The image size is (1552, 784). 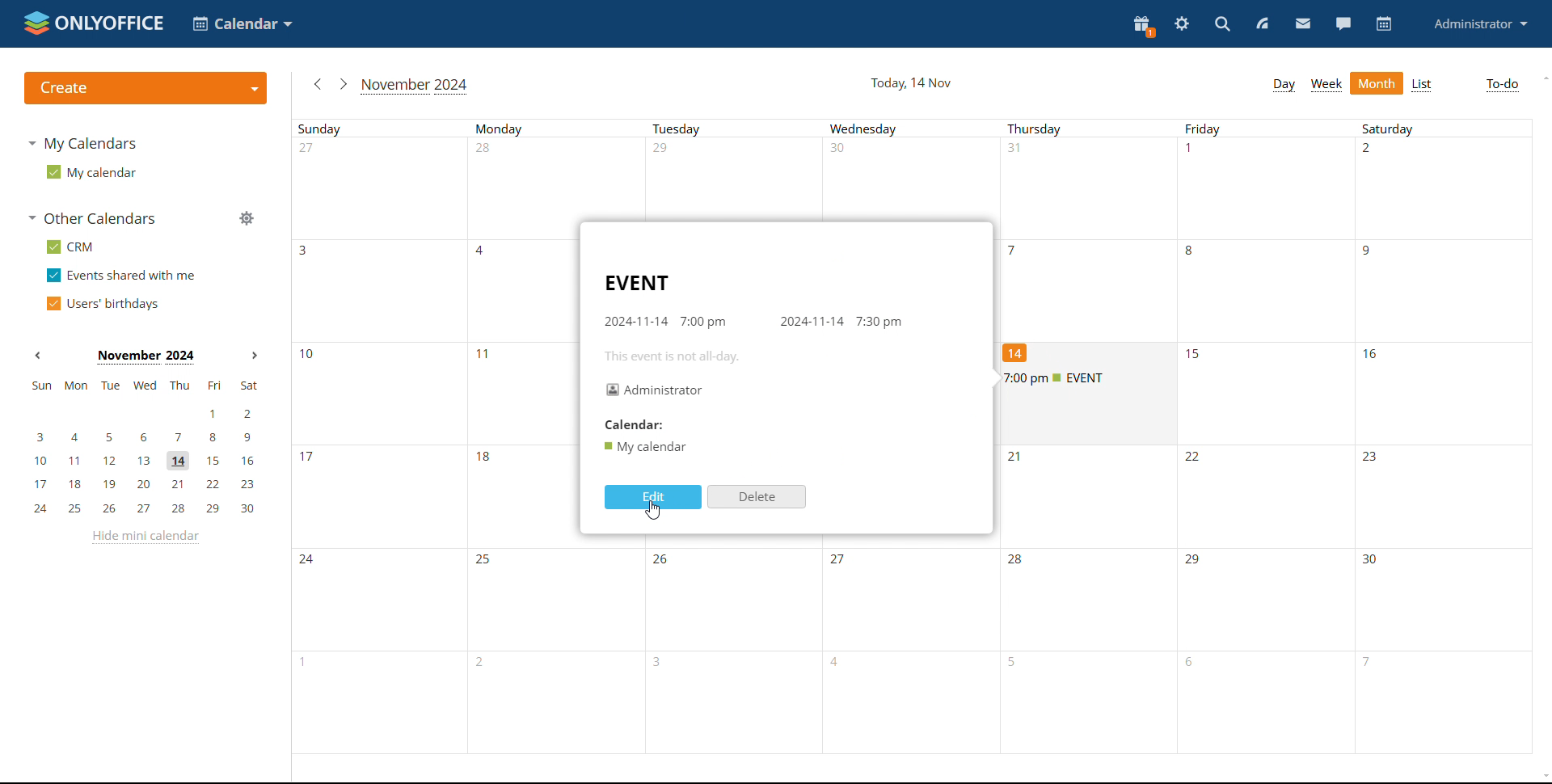 What do you see at coordinates (1542, 777) in the screenshot?
I see `scroll down` at bounding box center [1542, 777].